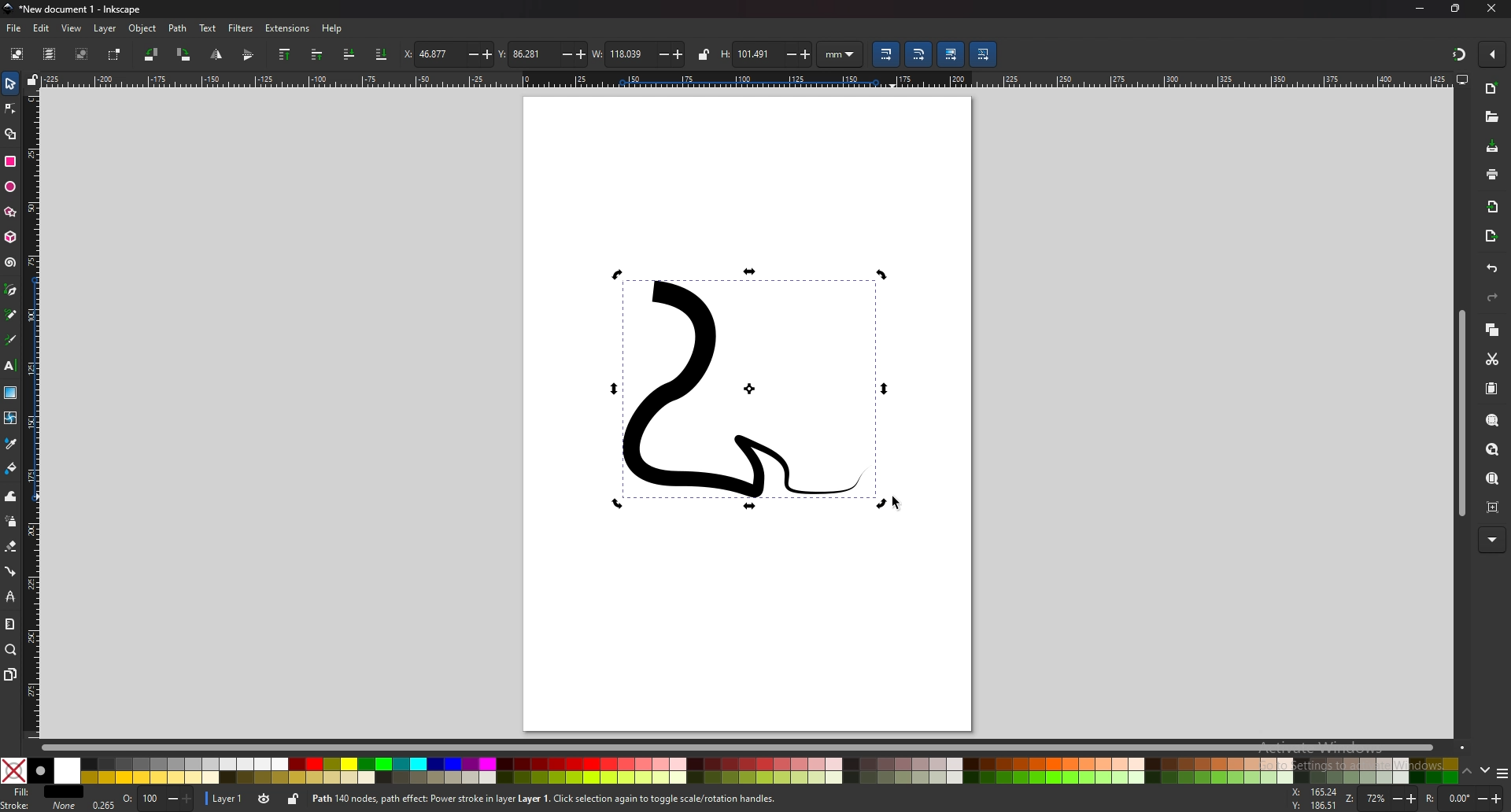 The image size is (1511, 812). Describe the element at coordinates (1462, 79) in the screenshot. I see `display options` at that location.